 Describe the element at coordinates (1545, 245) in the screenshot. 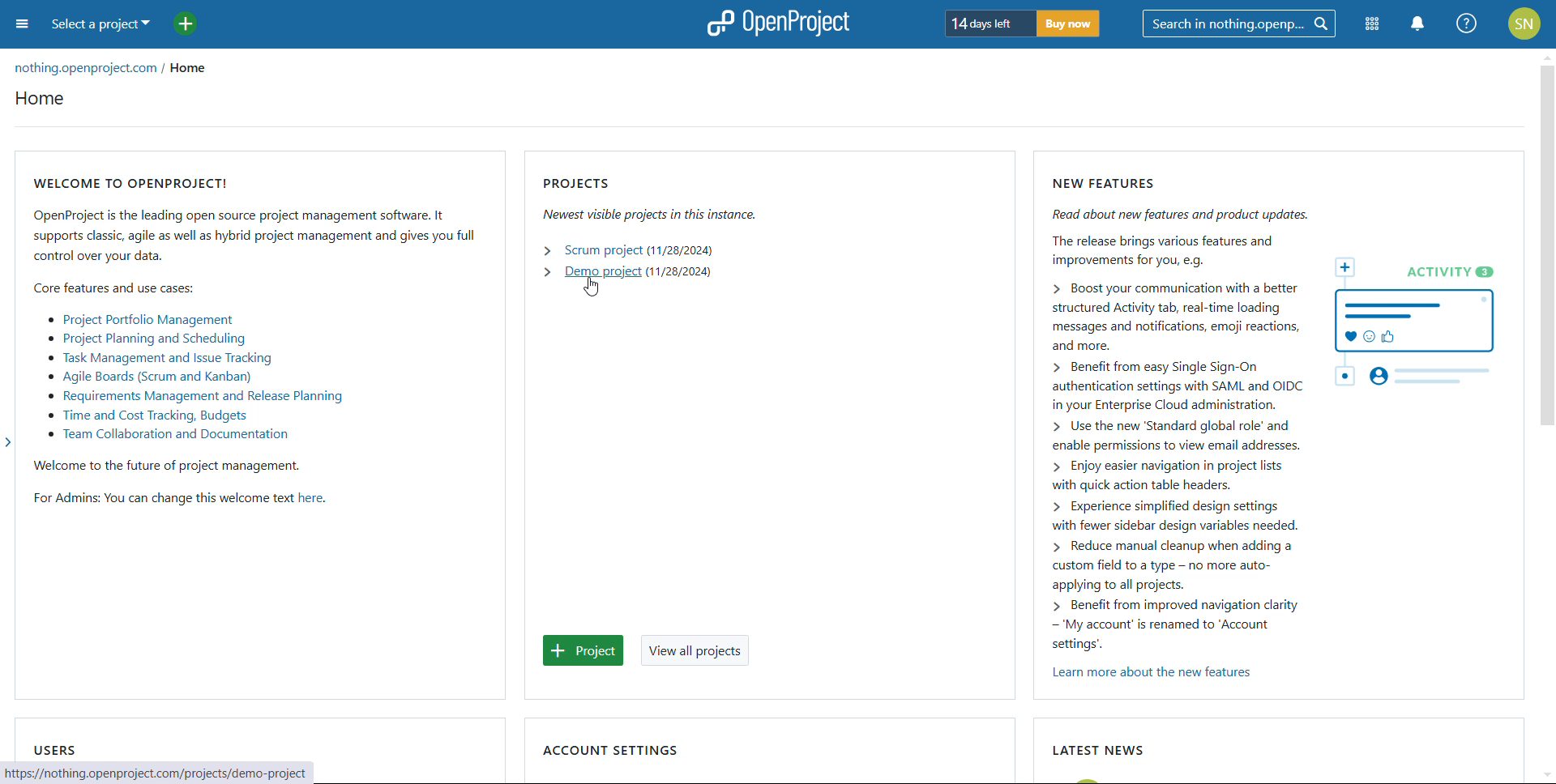

I see `scrollbar` at that location.